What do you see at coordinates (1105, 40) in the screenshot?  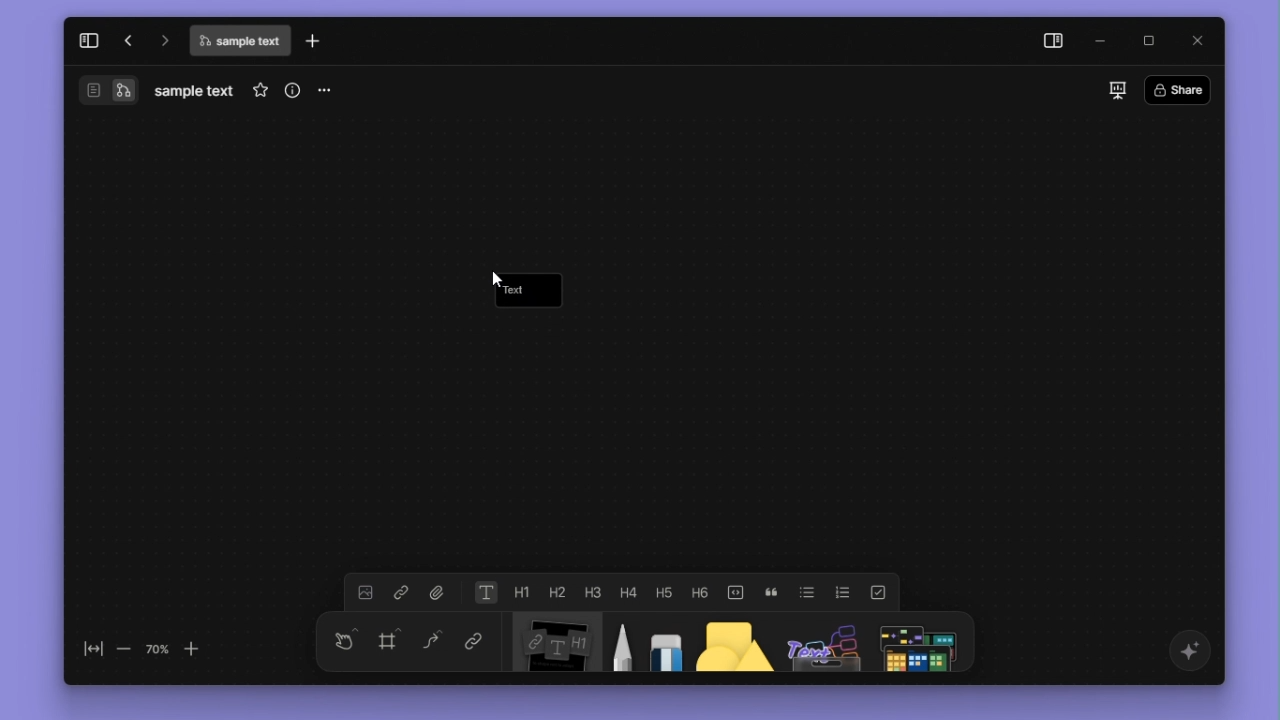 I see `minimize` at bounding box center [1105, 40].